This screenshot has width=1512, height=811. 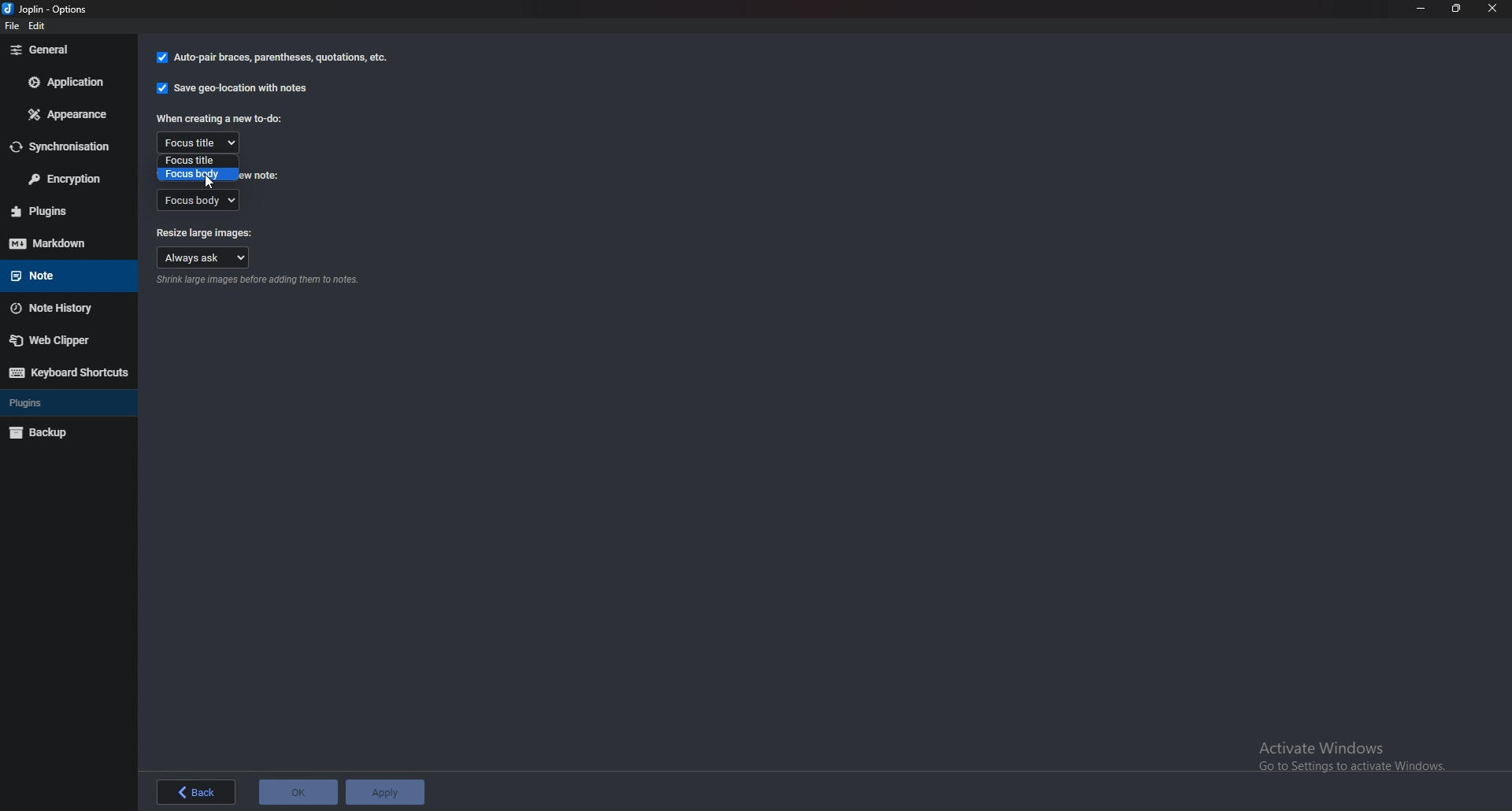 What do you see at coordinates (199, 142) in the screenshot?
I see `Focus title` at bounding box center [199, 142].